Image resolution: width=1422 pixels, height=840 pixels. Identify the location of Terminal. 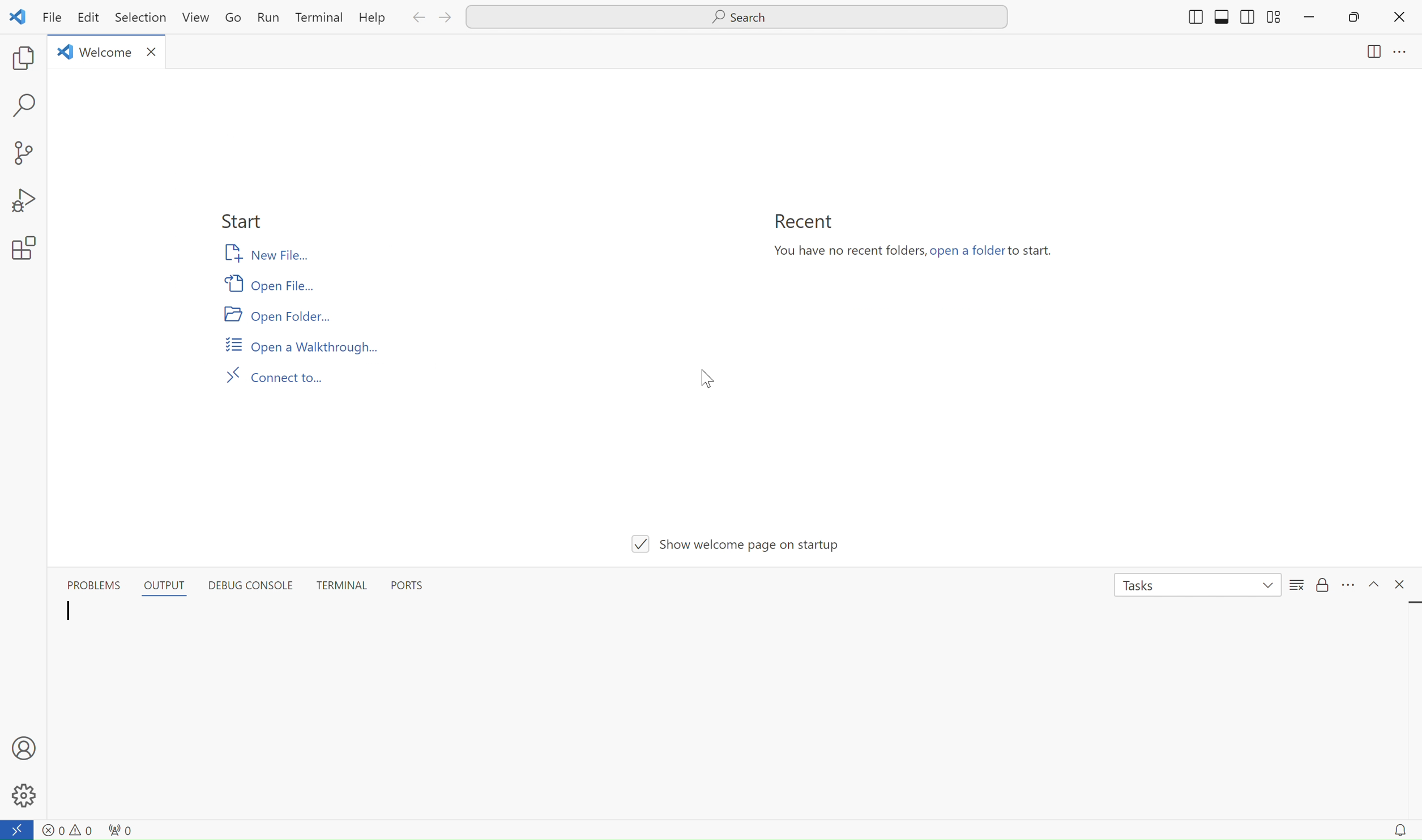
(318, 19).